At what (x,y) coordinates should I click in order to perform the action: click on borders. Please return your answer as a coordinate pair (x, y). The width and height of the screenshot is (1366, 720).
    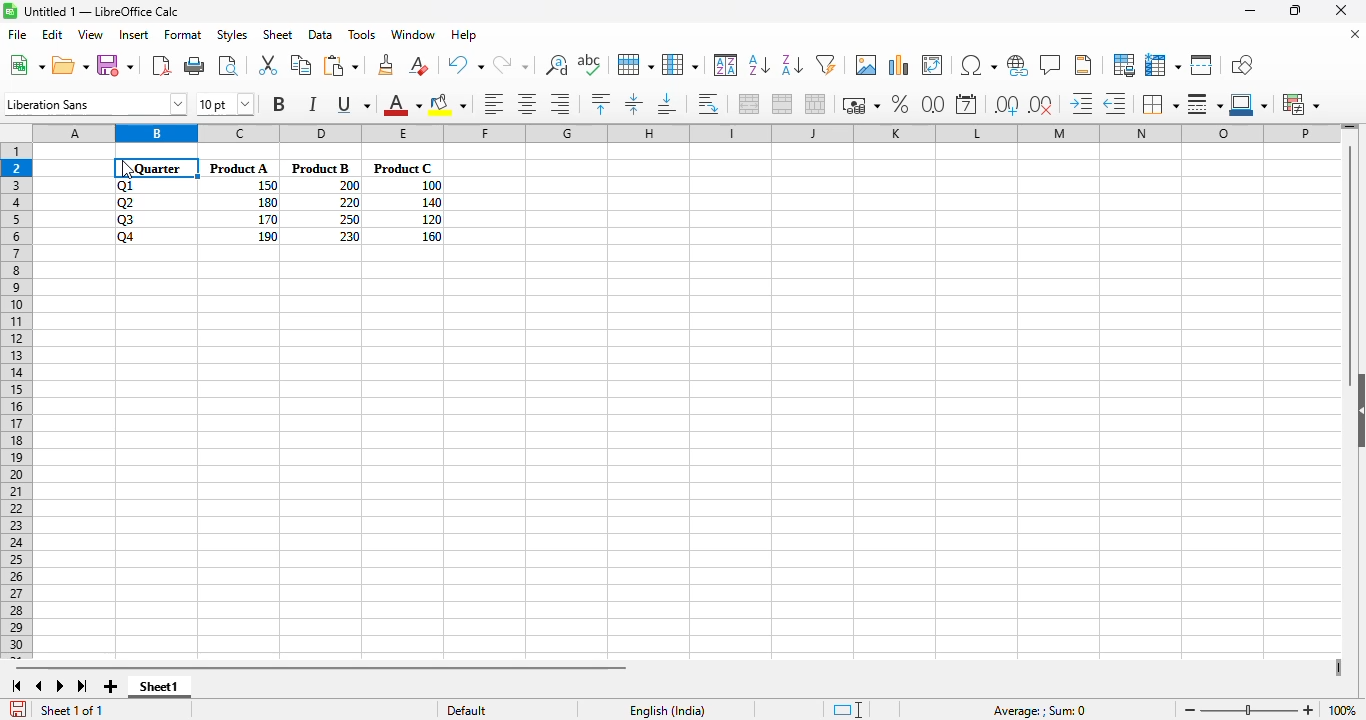
    Looking at the image, I should click on (1160, 103).